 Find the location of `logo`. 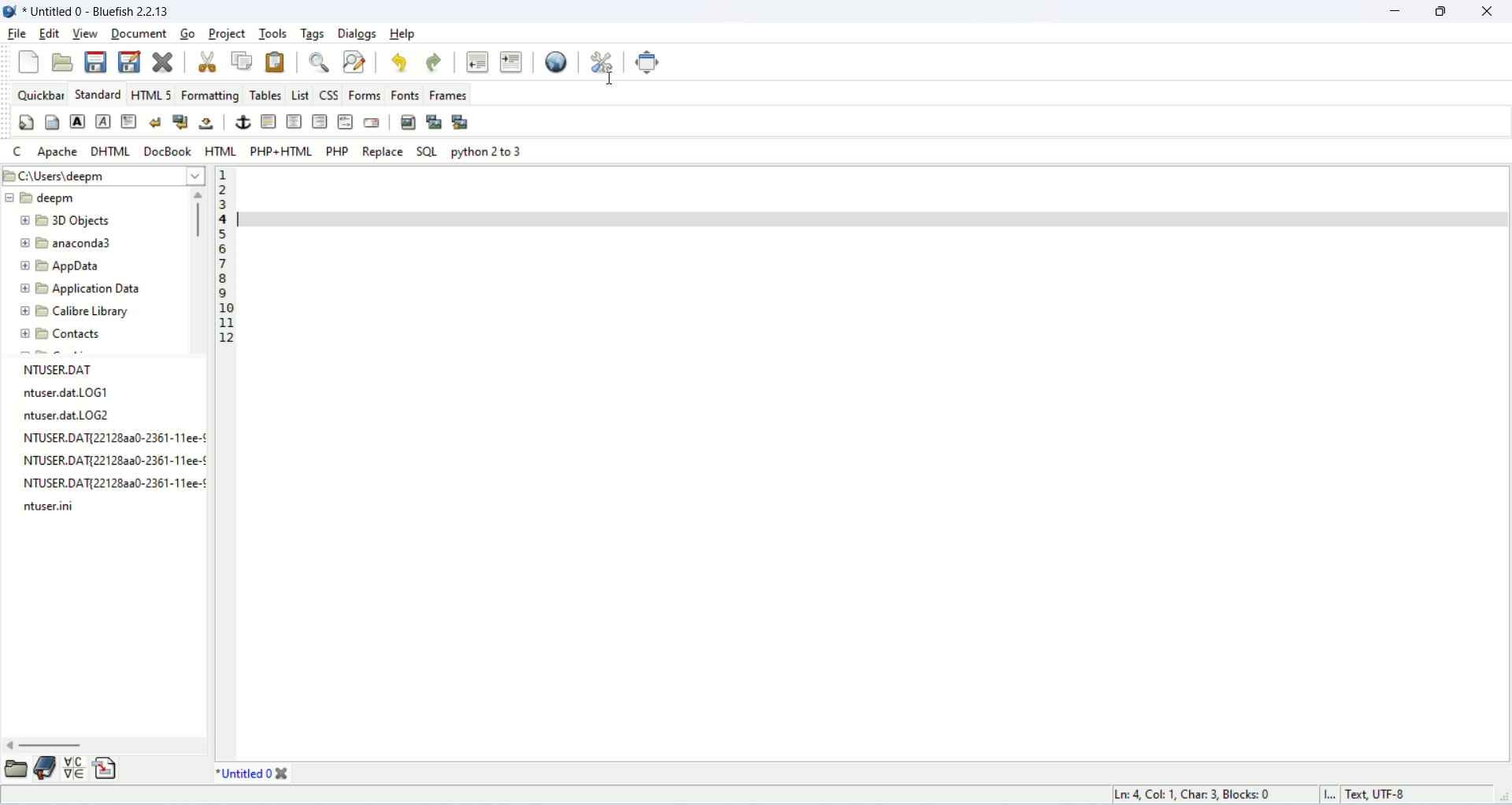

logo is located at coordinates (9, 12).